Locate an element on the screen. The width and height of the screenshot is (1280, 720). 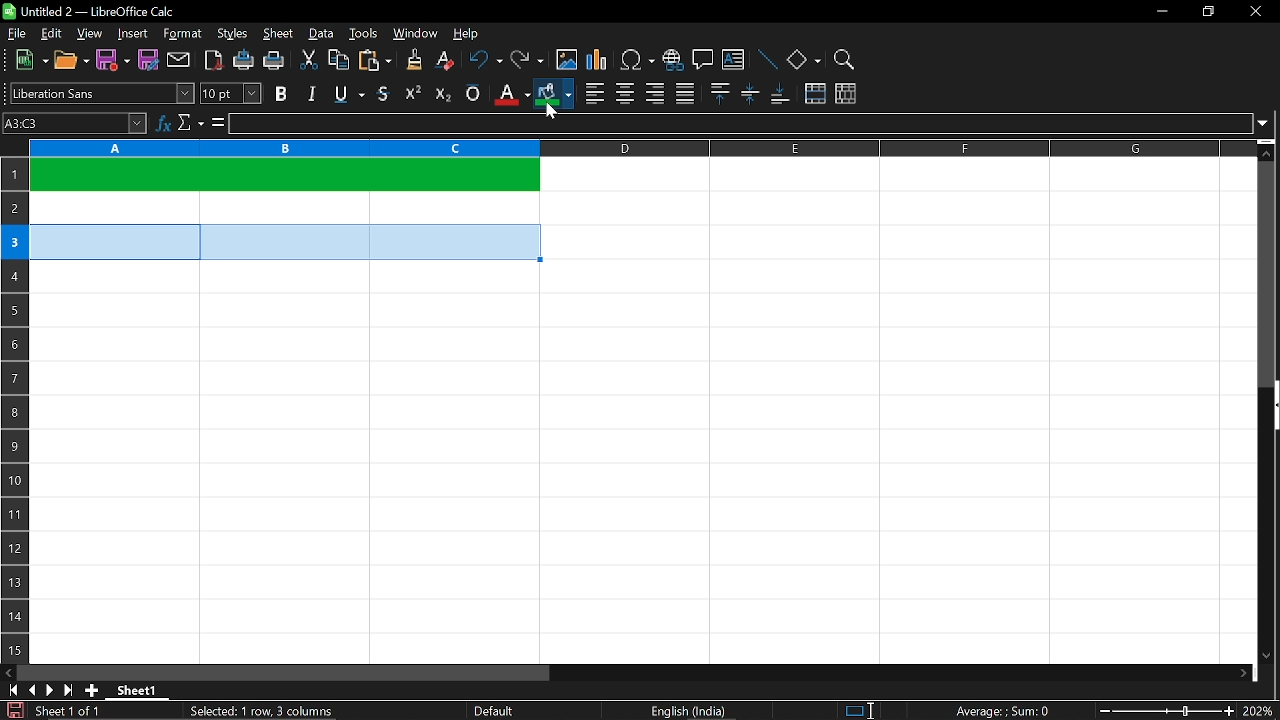
Sheet 1 of 1 is located at coordinates (68, 711).